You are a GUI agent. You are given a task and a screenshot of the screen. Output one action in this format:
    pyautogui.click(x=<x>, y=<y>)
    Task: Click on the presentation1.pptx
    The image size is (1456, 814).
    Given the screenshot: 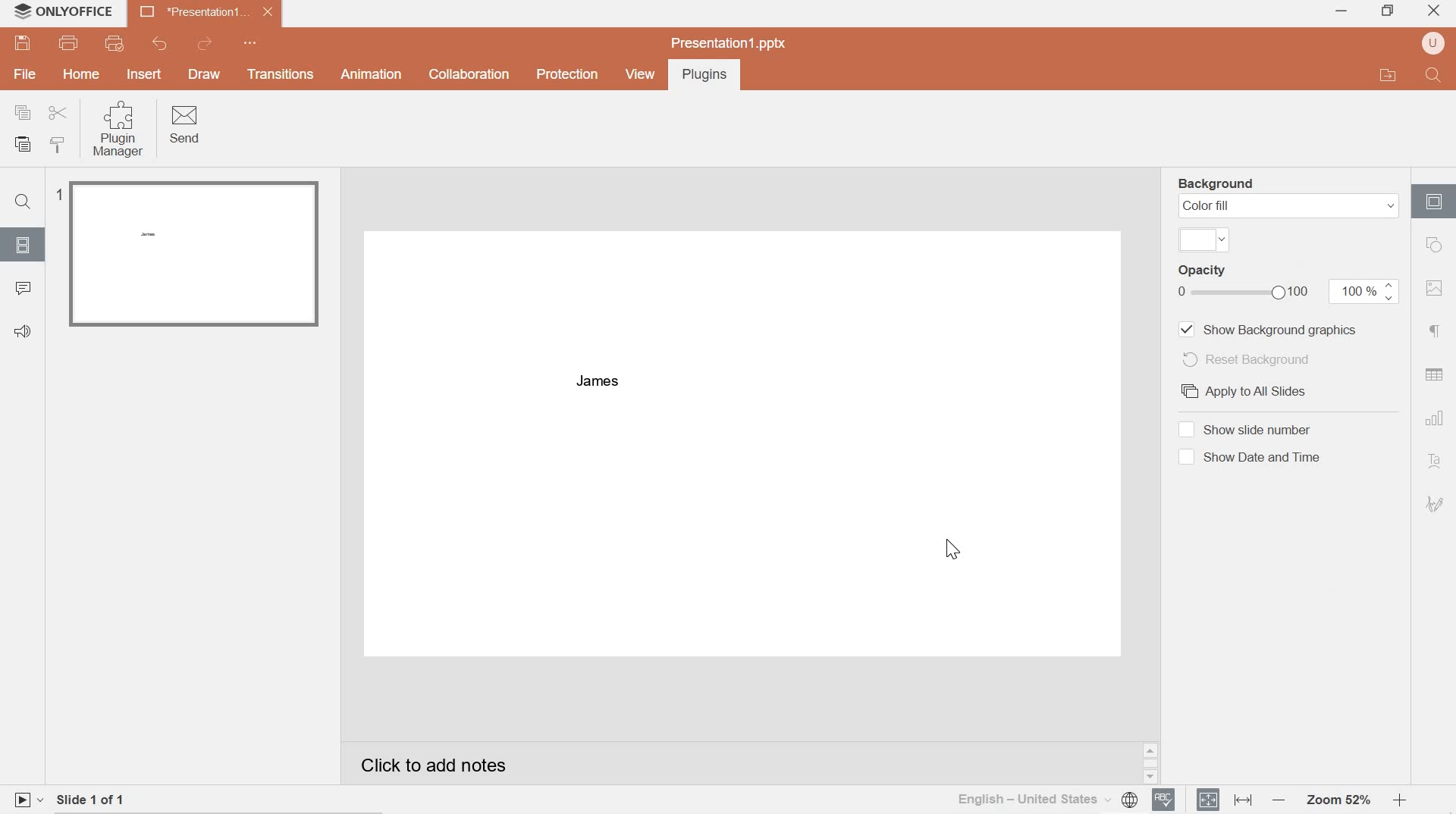 What is the action you would take?
    pyautogui.click(x=728, y=42)
    